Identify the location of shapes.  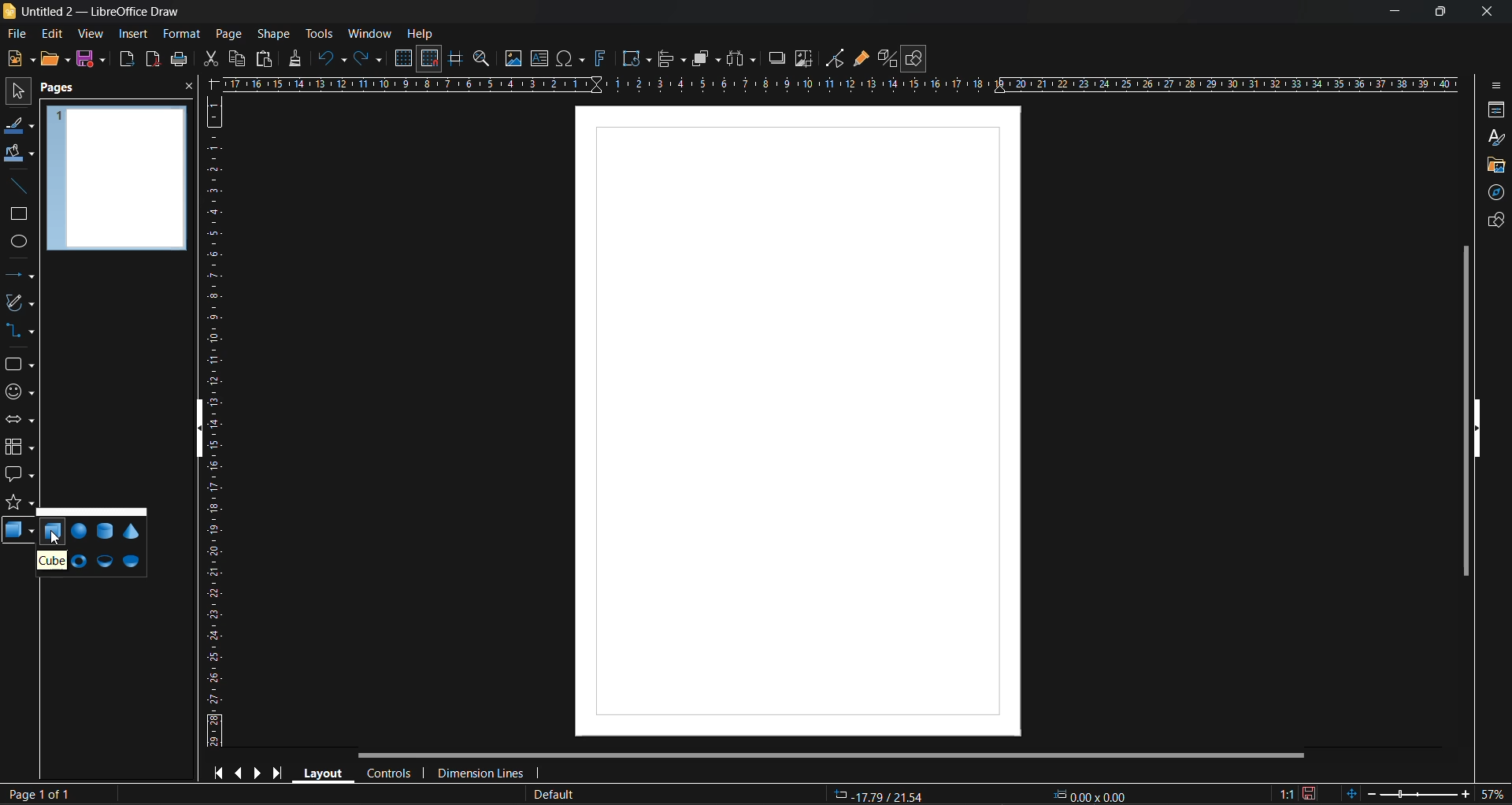
(18, 365).